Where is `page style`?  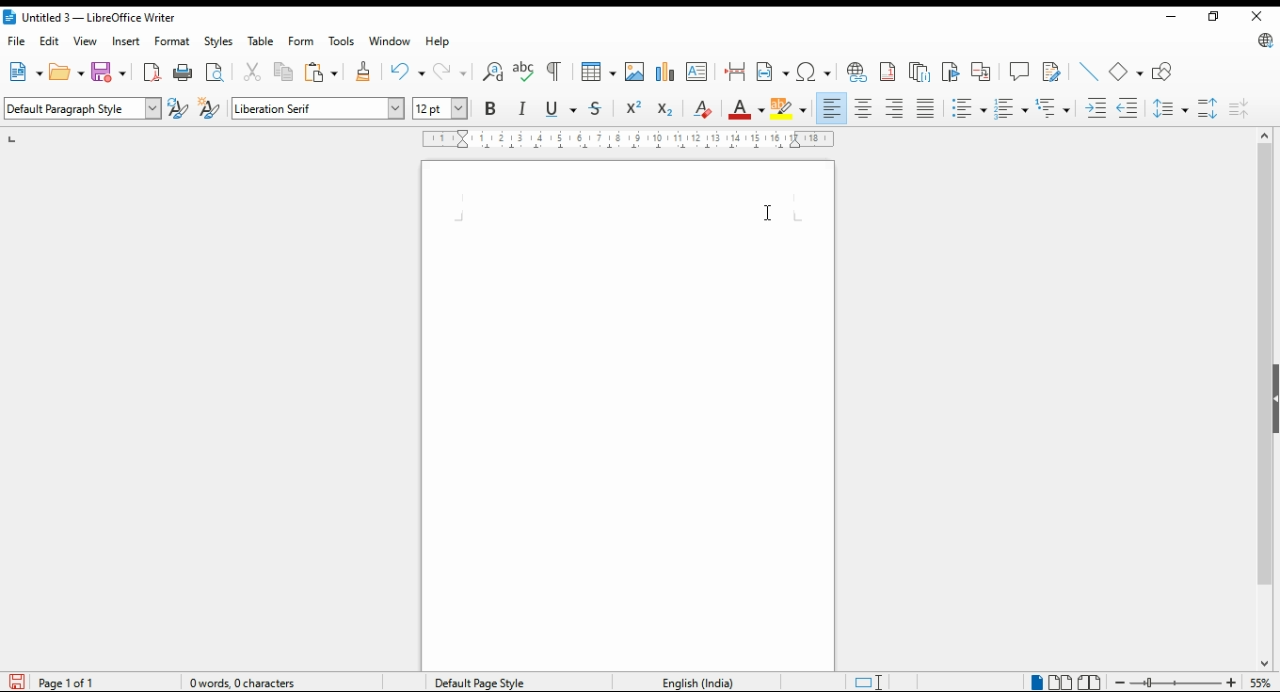 page style is located at coordinates (484, 682).